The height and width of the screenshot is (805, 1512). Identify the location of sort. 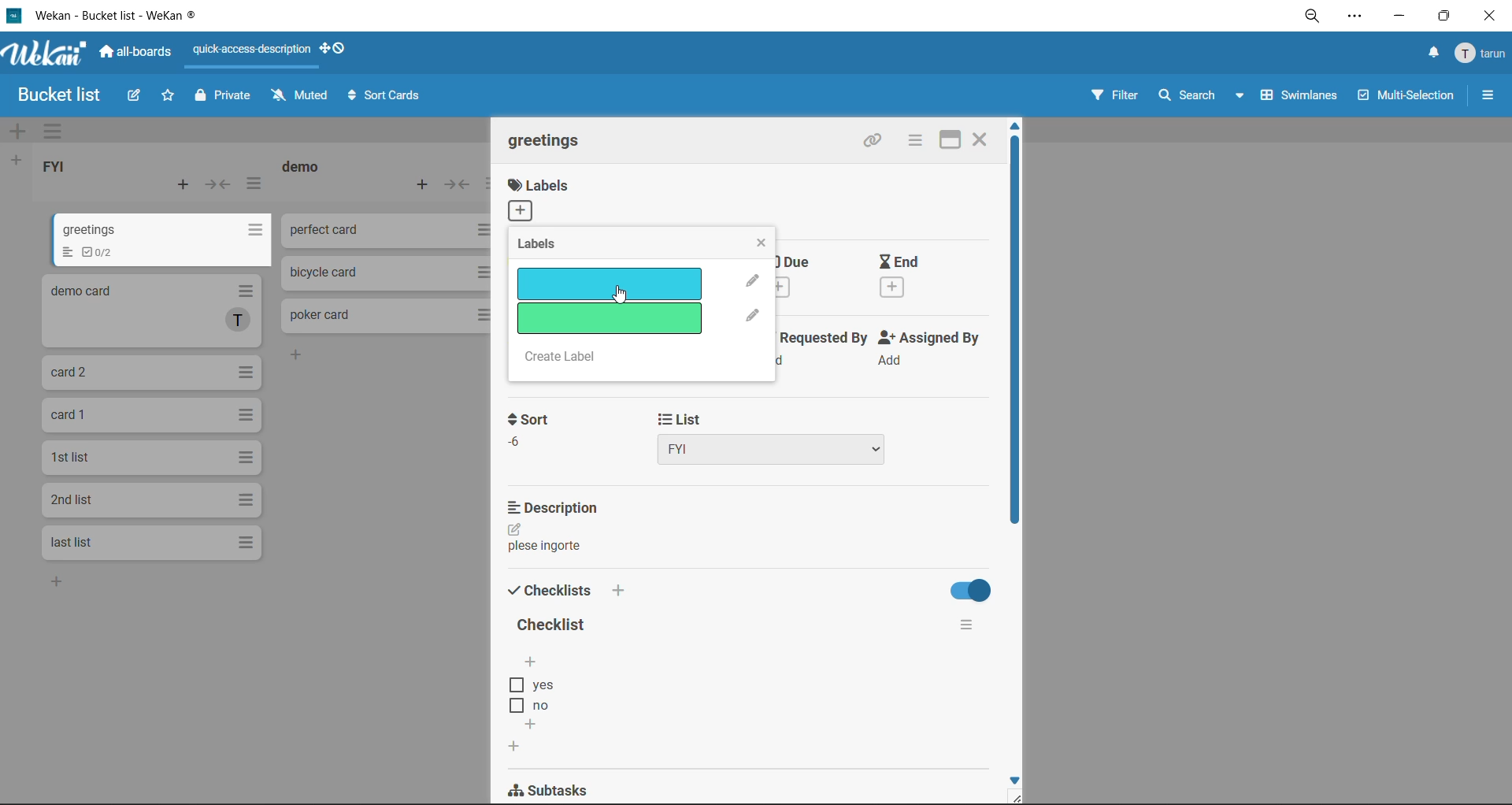
(528, 434).